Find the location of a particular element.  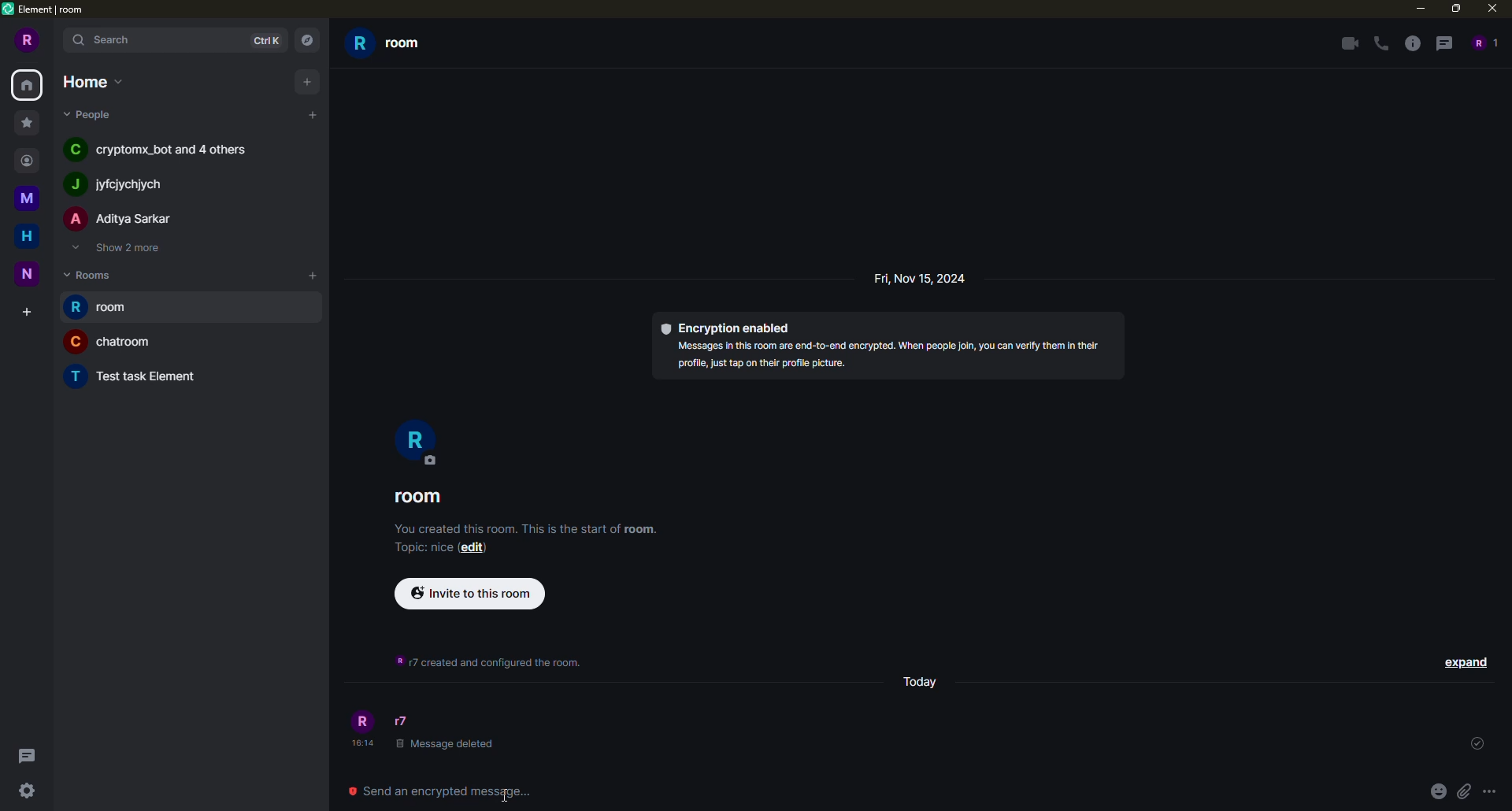

info is located at coordinates (891, 355).